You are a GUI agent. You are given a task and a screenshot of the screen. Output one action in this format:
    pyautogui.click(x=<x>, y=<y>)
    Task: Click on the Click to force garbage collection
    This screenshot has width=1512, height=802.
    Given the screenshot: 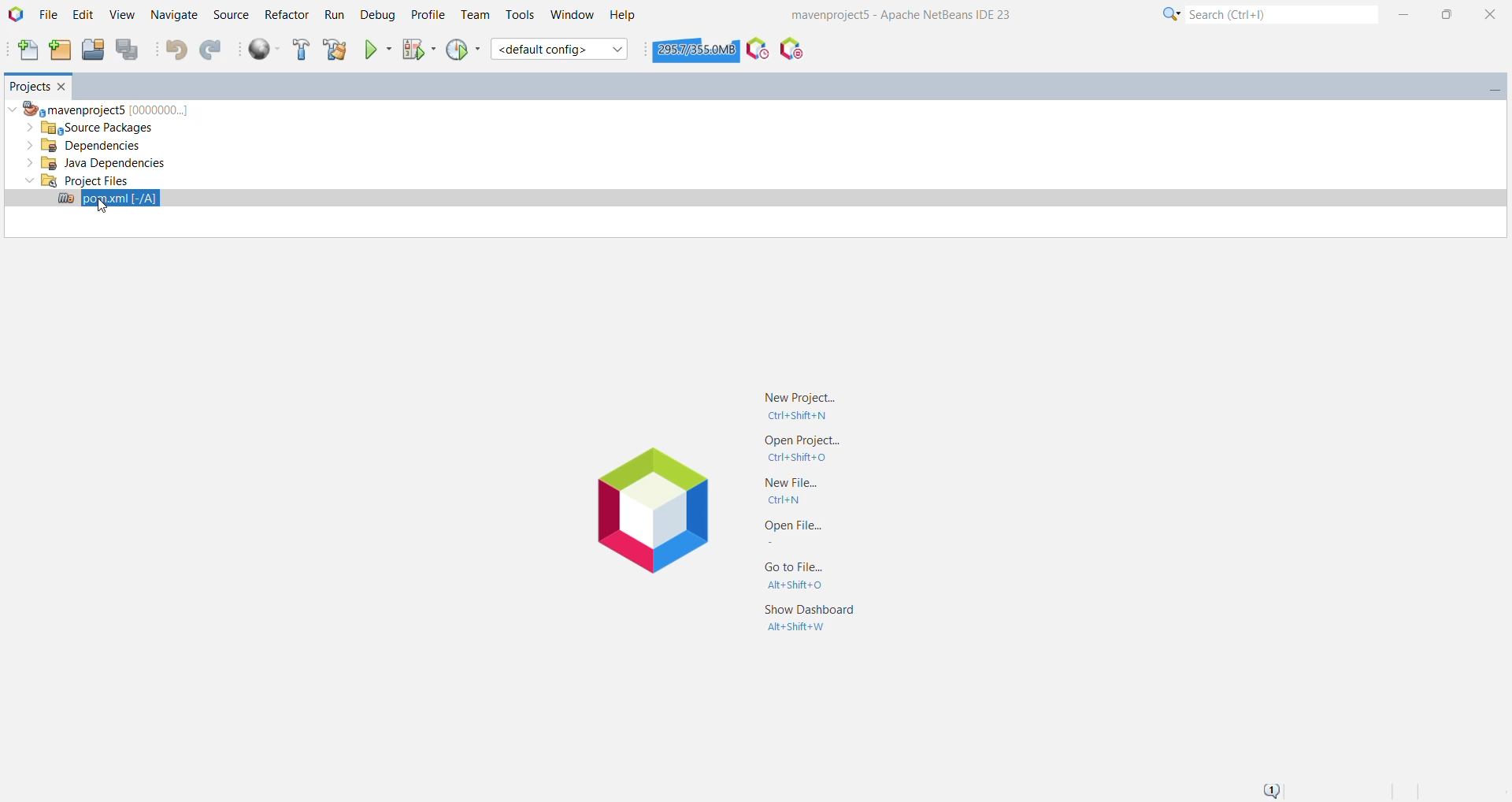 What is the action you would take?
    pyautogui.click(x=696, y=49)
    